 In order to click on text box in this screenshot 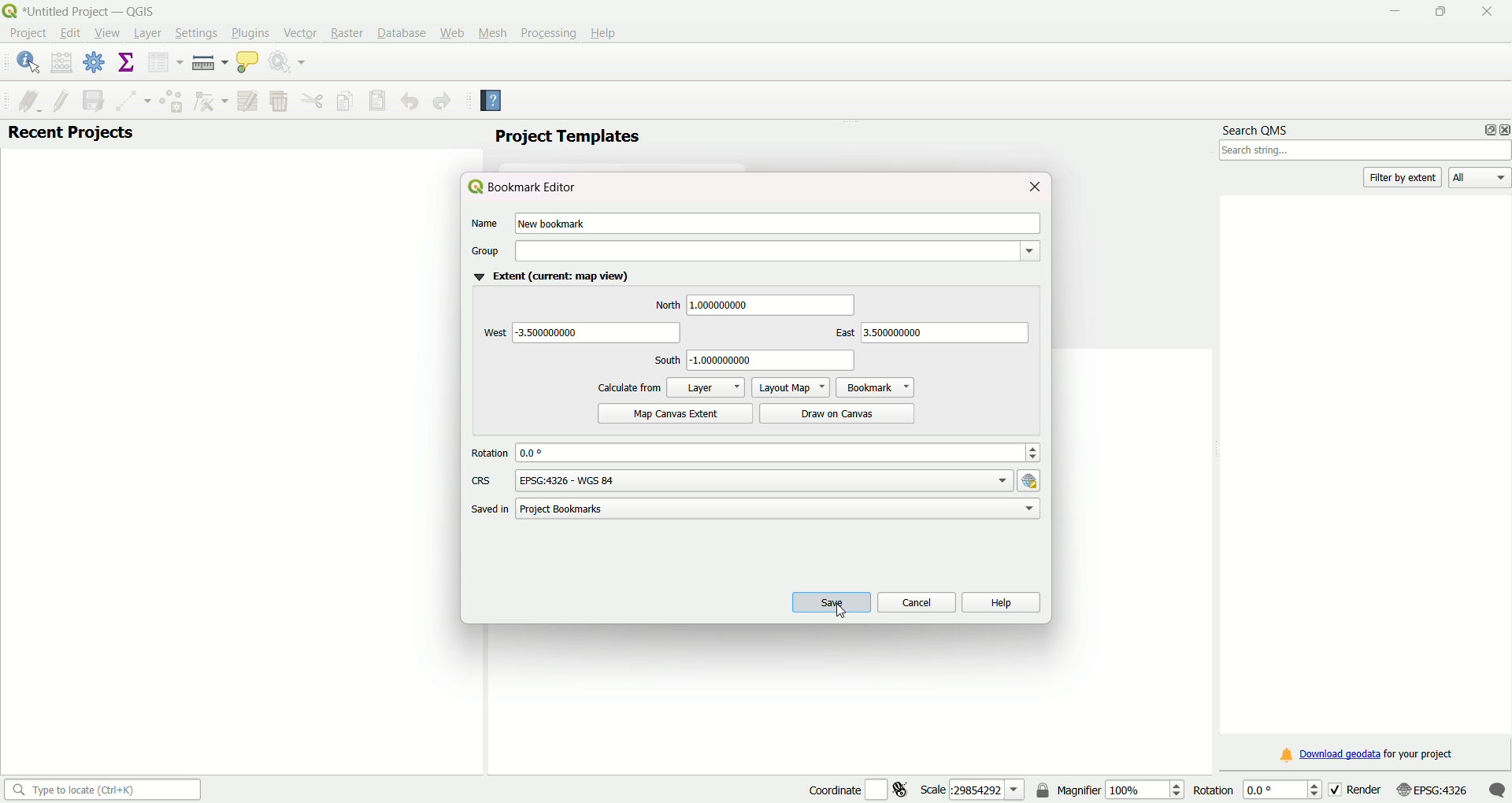, I will do `click(764, 479)`.